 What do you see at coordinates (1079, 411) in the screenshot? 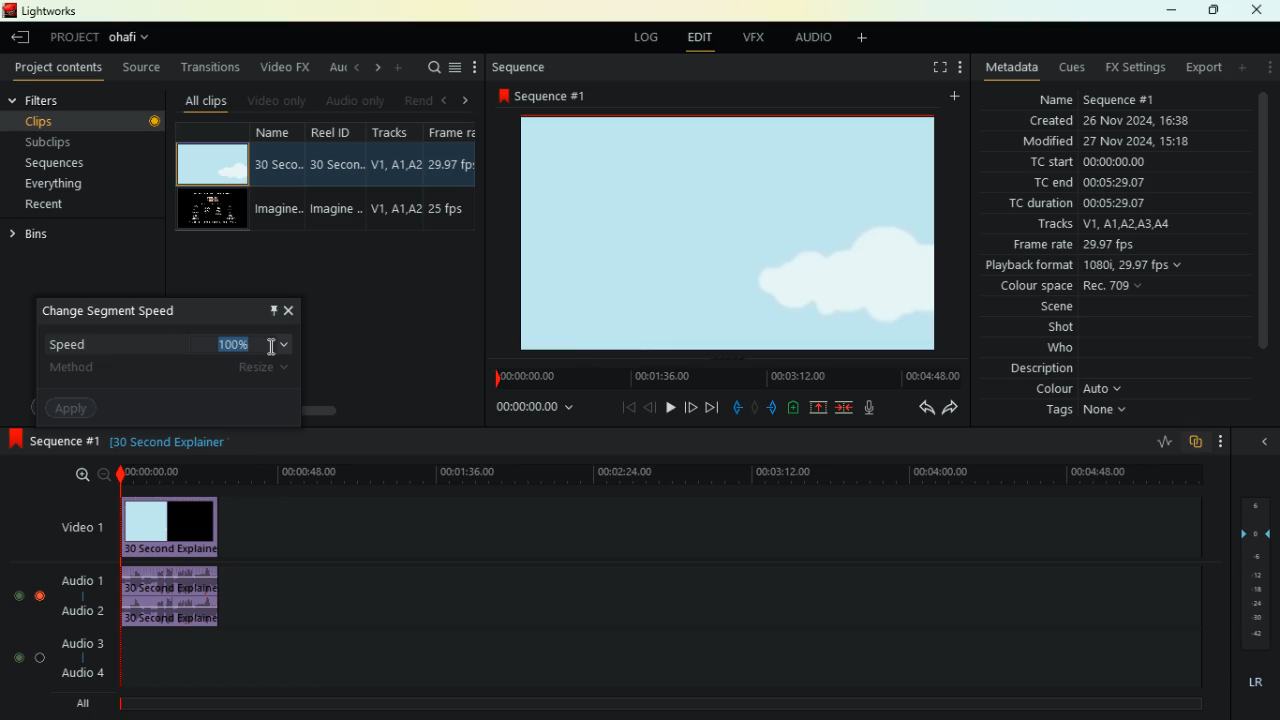
I see `tags` at bounding box center [1079, 411].